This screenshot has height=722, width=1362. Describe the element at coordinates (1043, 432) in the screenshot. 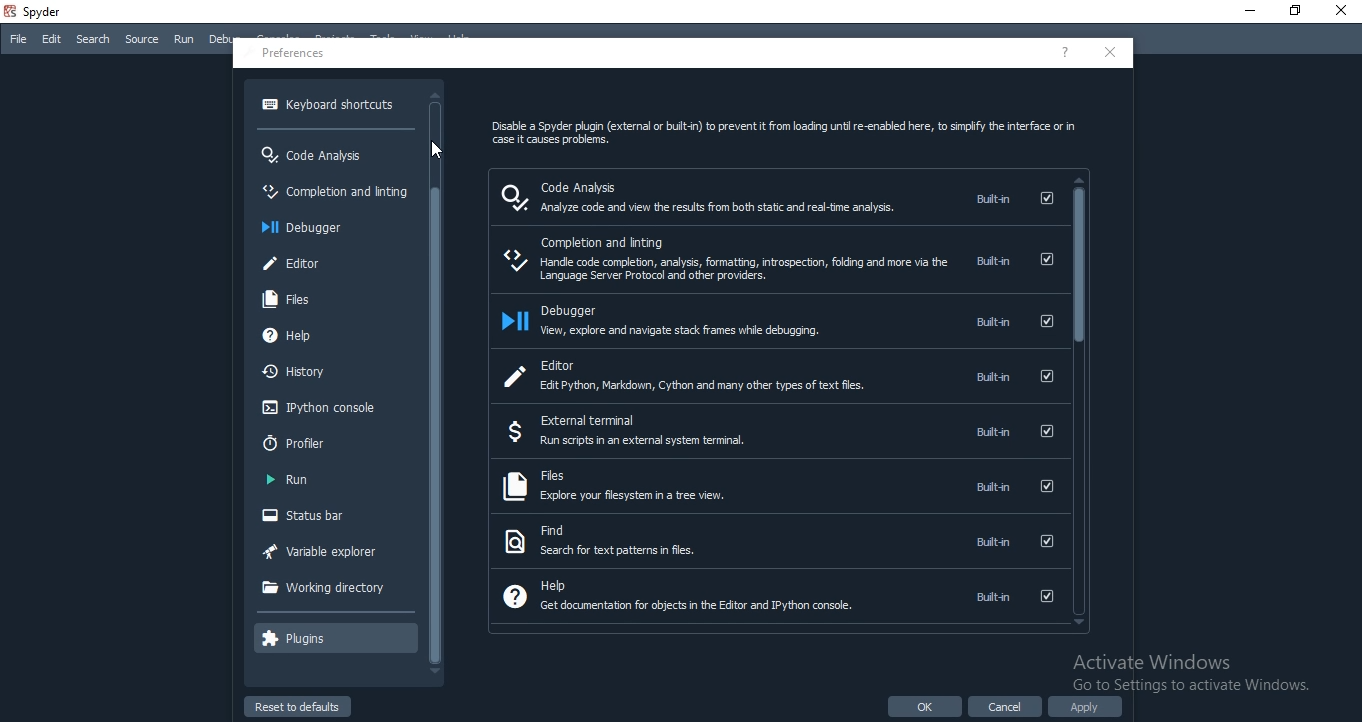

I see `checkbox` at that location.